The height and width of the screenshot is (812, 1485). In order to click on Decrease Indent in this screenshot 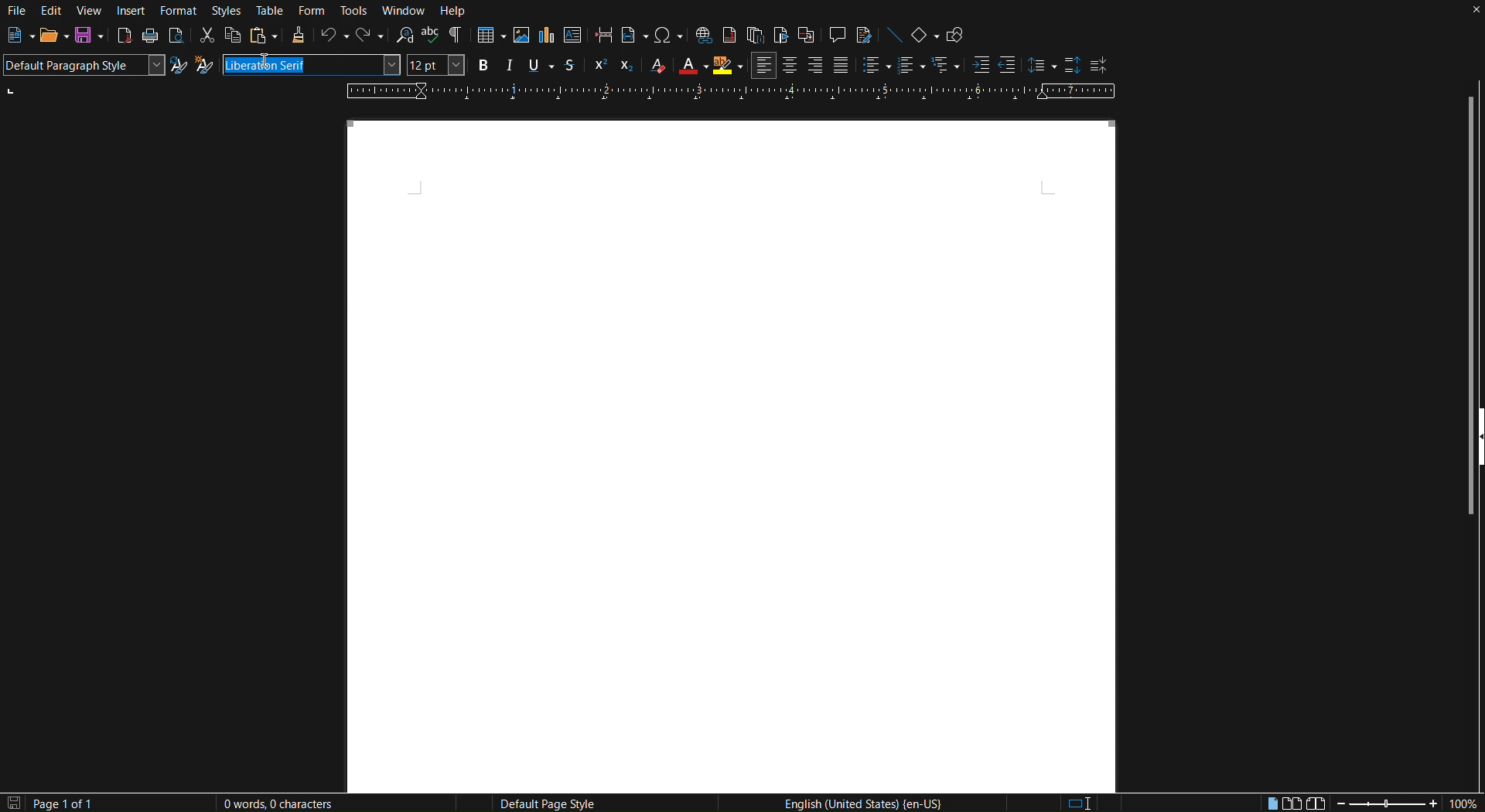, I will do `click(1009, 66)`.